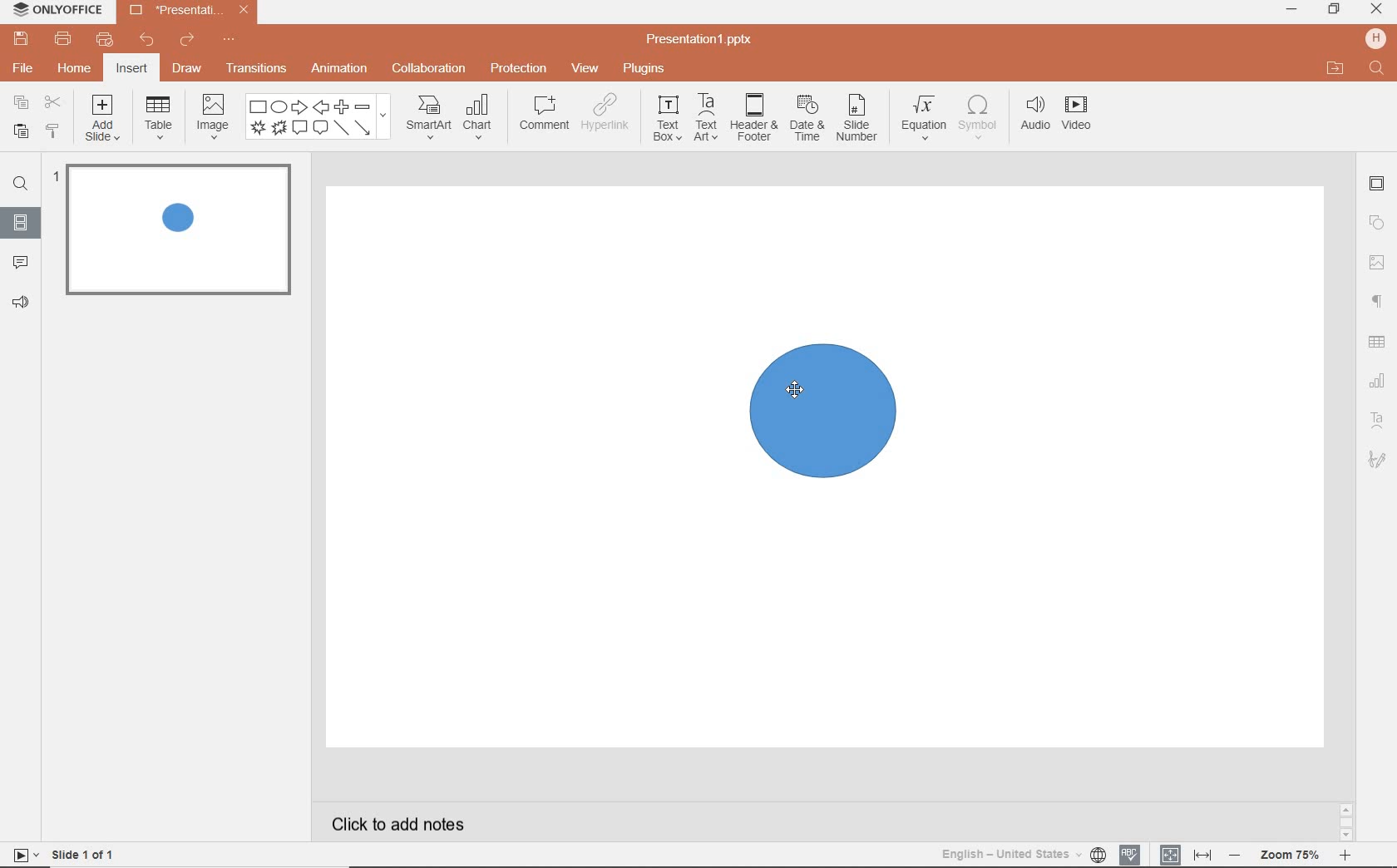 This screenshot has width=1397, height=868. I want to click on view, so click(584, 70).